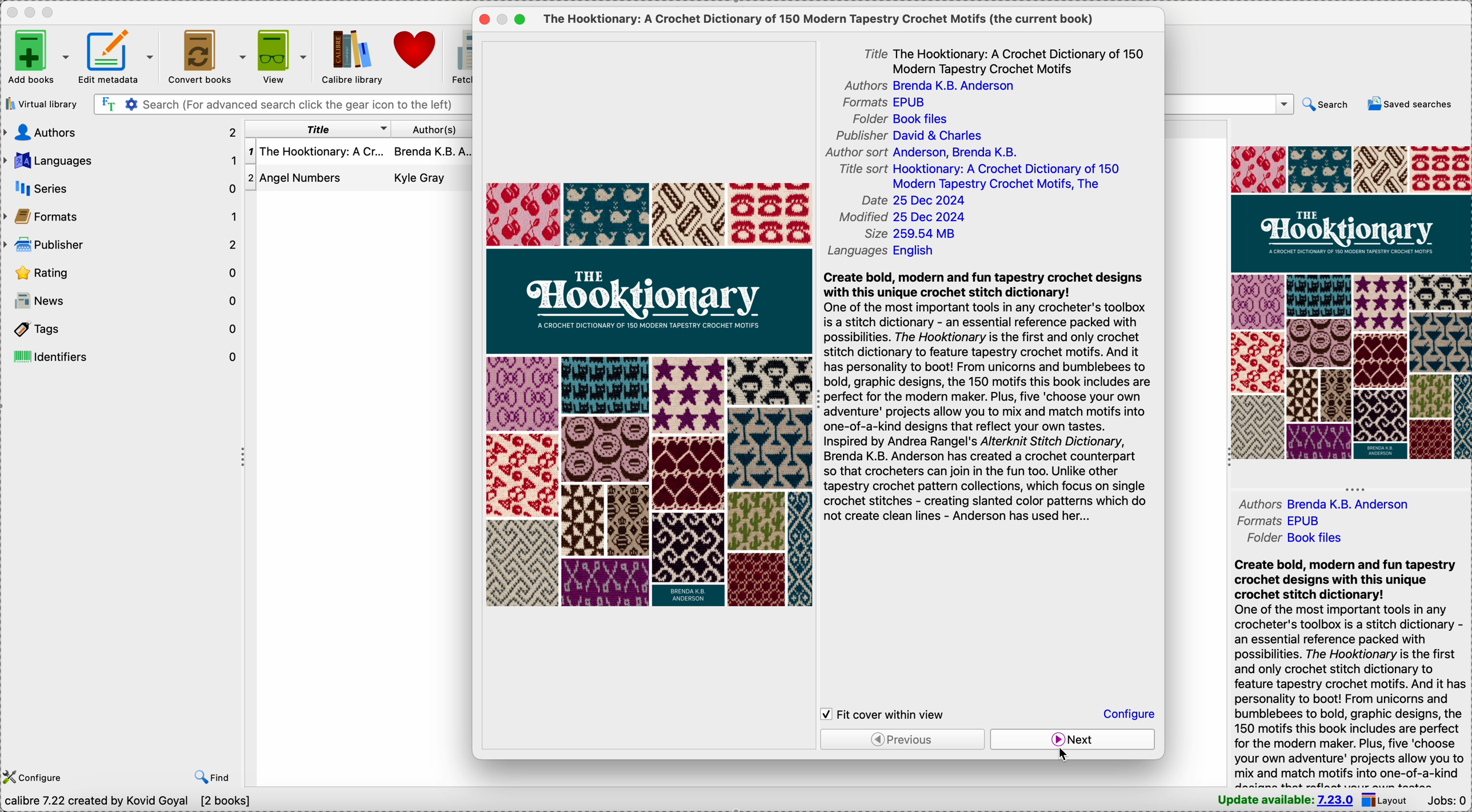 The width and height of the screenshot is (1472, 812). Describe the element at coordinates (993, 398) in the screenshot. I see `synopsis` at that location.